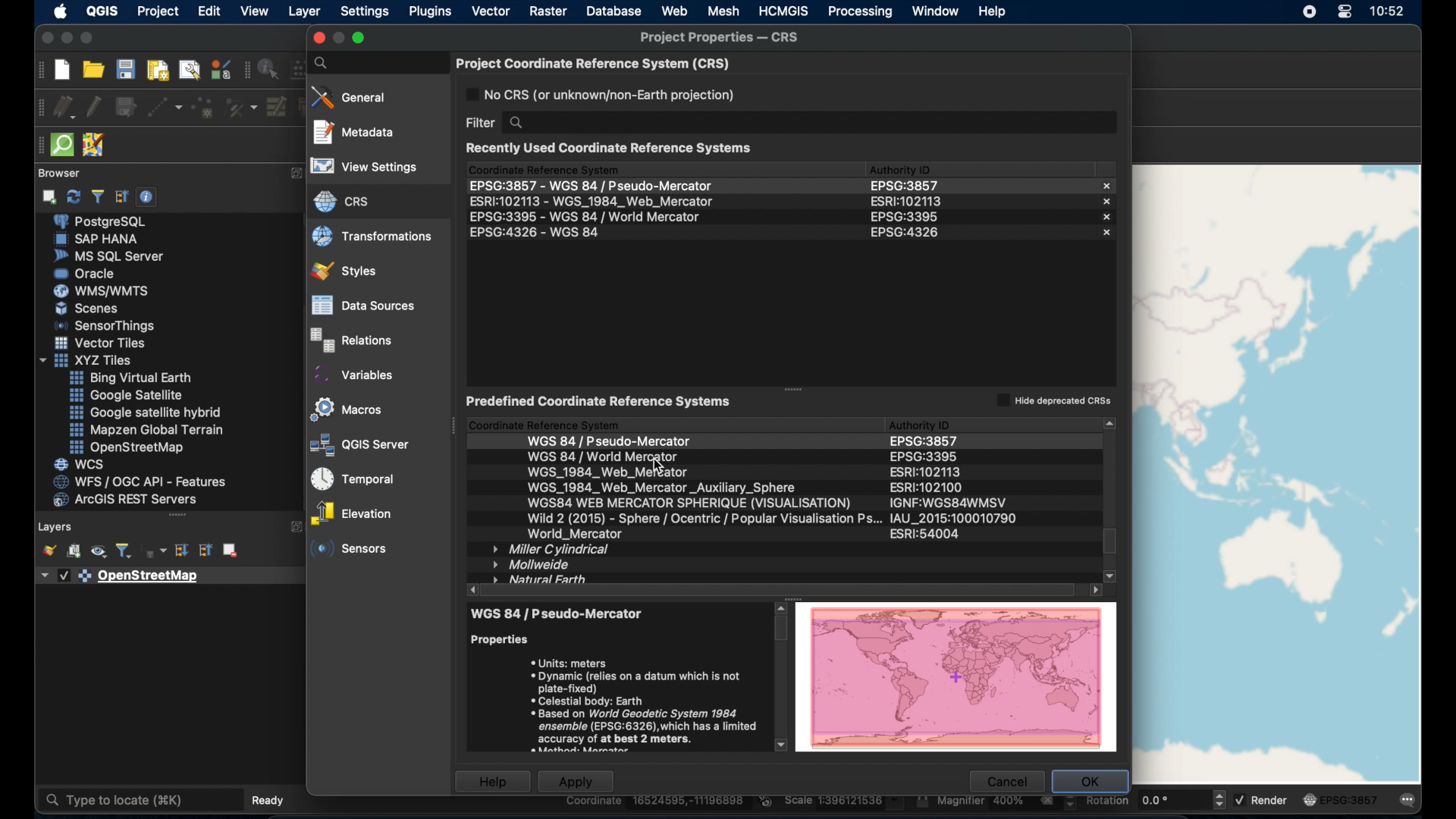 The image size is (1456, 819). What do you see at coordinates (723, 11) in the screenshot?
I see `mesh` at bounding box center [723, 11].